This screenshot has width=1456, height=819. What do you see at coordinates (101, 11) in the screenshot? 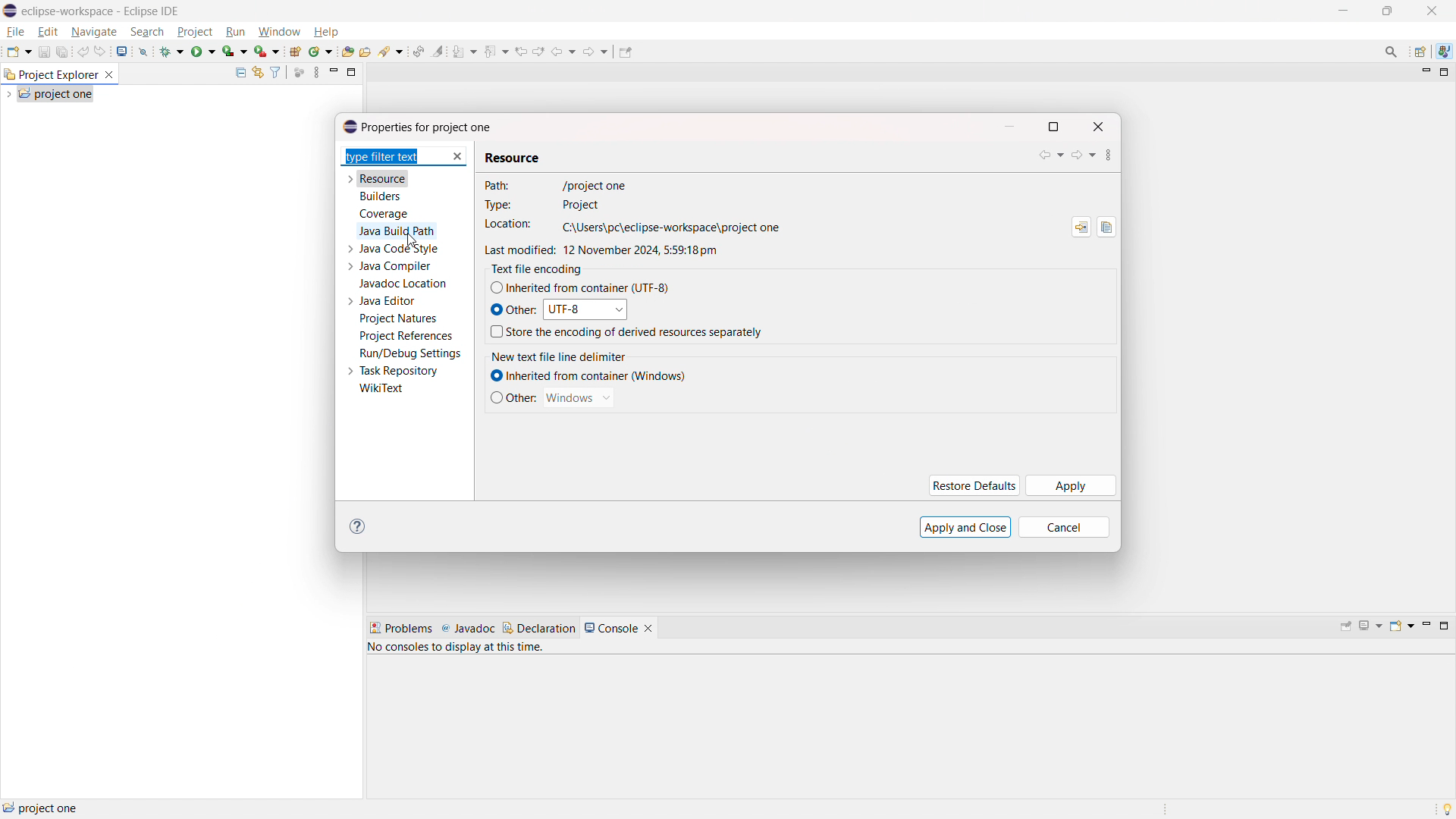
I see `eclipse-workspace - Eclipse IDE` at bounding box center [101, 11].